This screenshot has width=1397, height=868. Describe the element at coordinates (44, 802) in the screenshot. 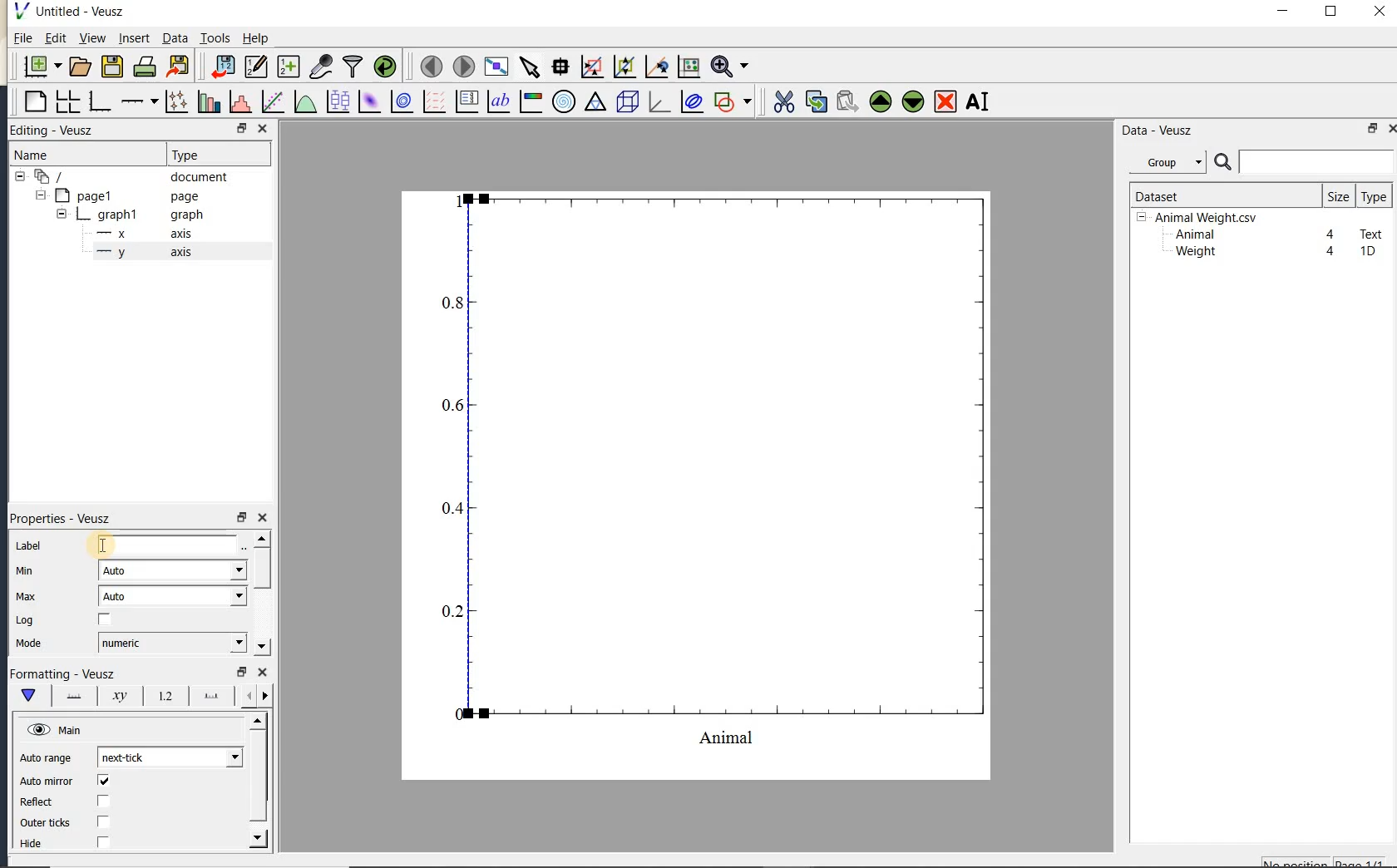

I see `Reflect` at that location.